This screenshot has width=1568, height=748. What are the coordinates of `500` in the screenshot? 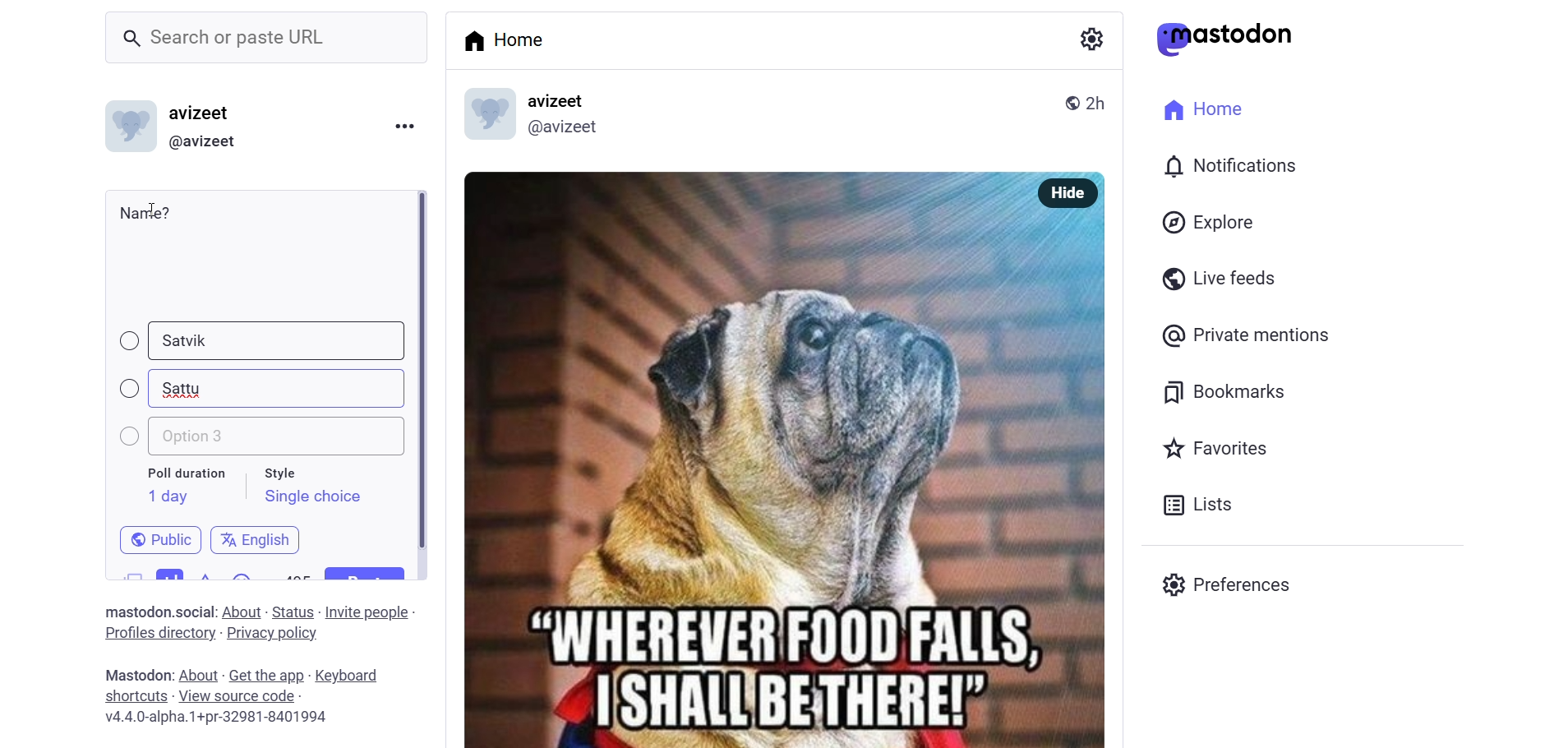 It's located at (296, 572).